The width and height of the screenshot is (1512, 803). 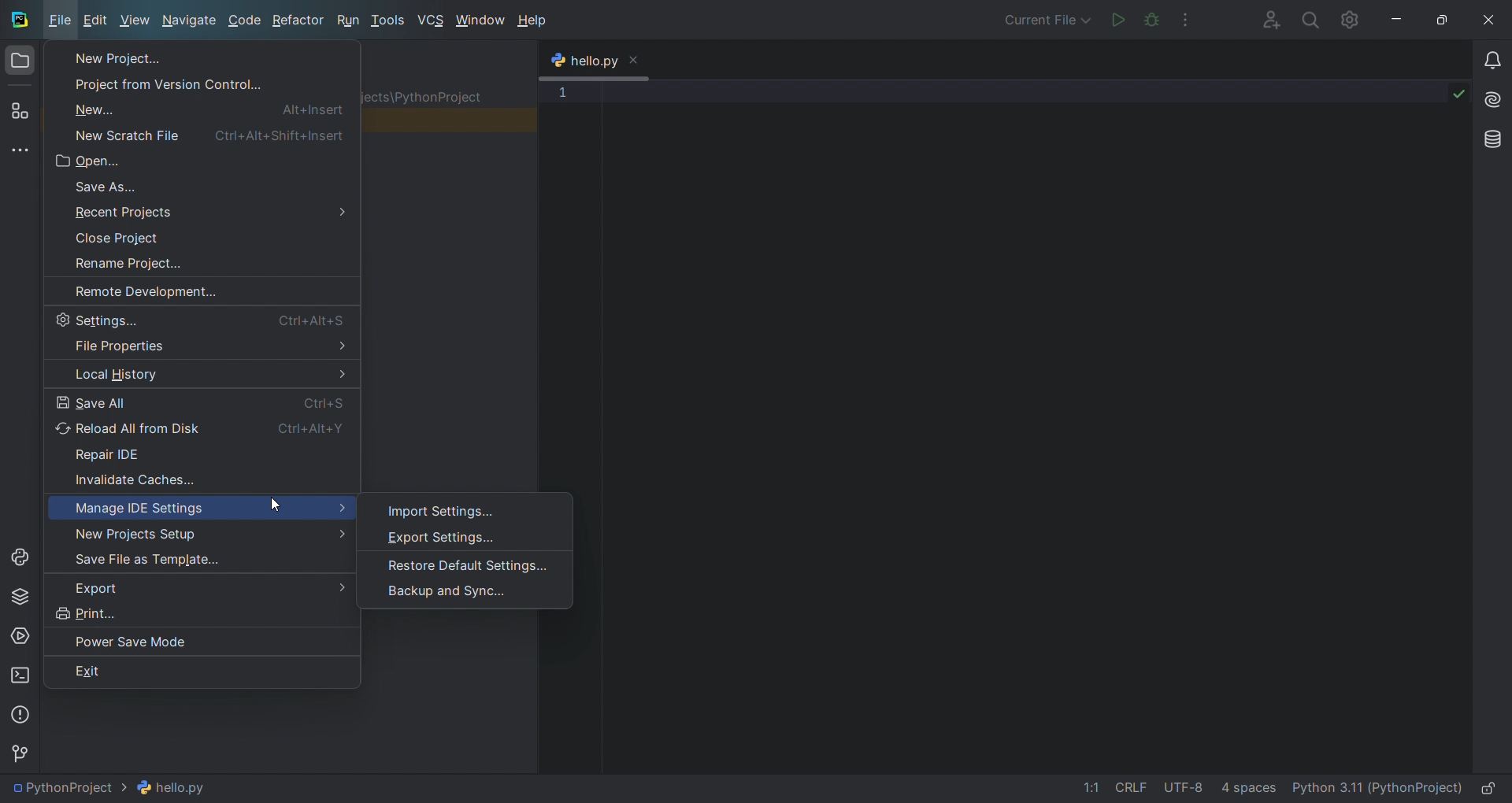 I want to click on properties, so click(x=203, y=346).